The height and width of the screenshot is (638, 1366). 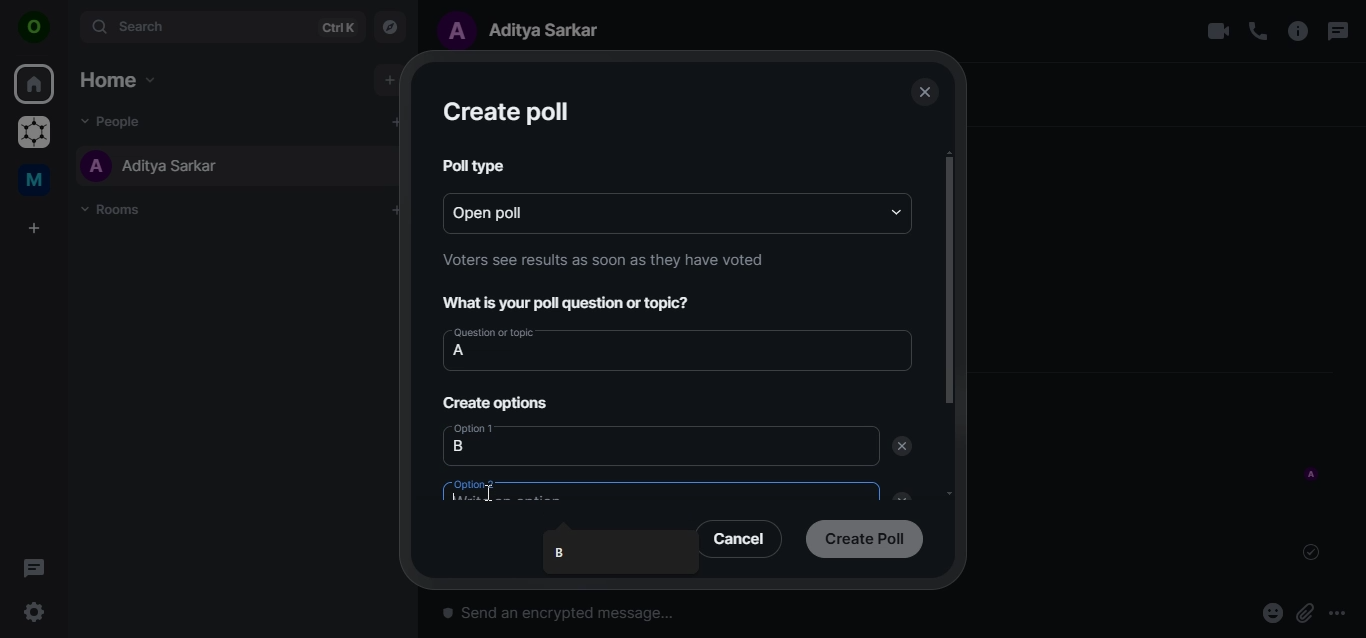 What do you see at coordinates (1299, 33) in the screenshot?
I see `room options` at bounding box center [1299, 33].